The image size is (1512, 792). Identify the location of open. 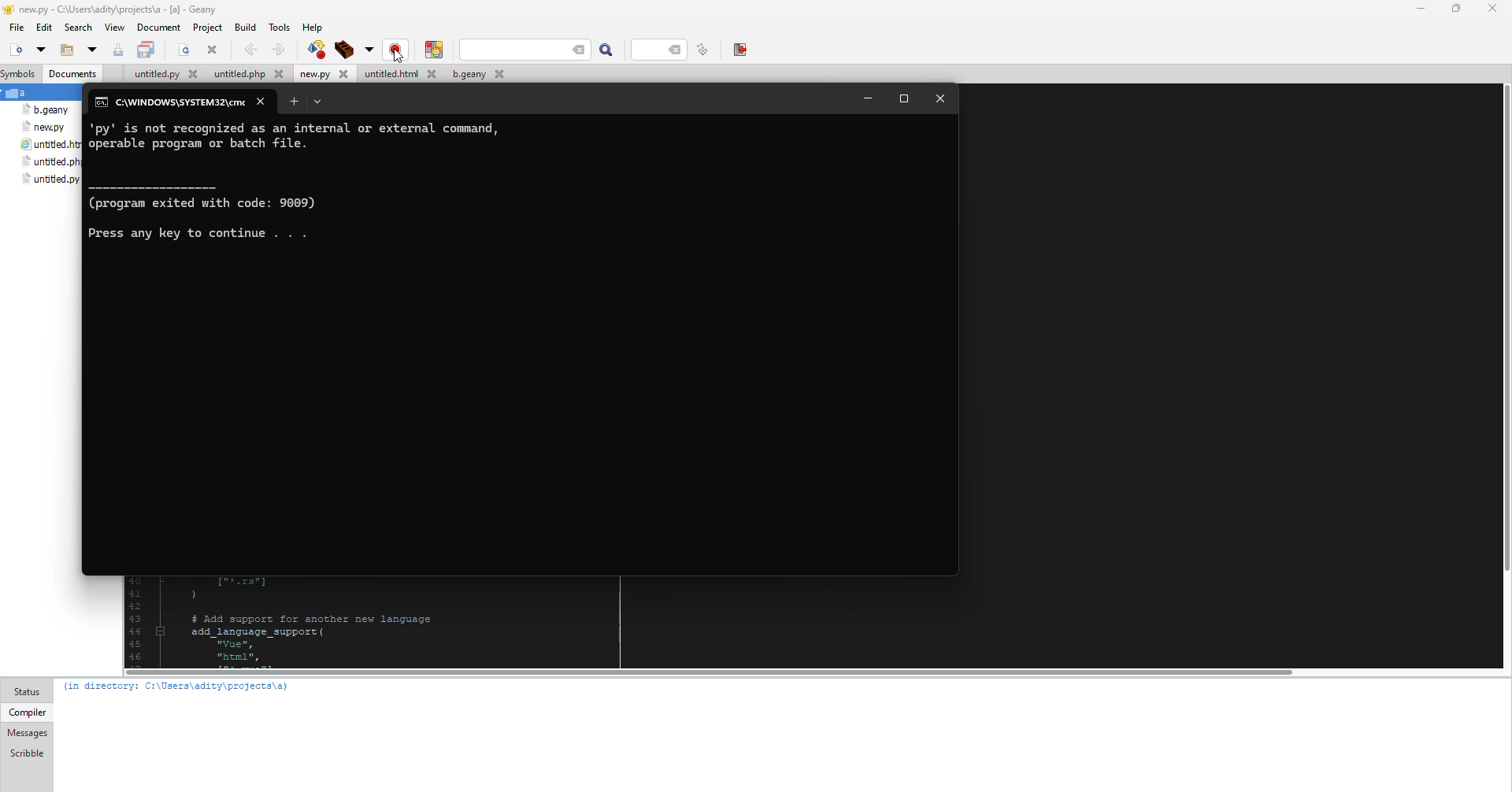
(184, 50).